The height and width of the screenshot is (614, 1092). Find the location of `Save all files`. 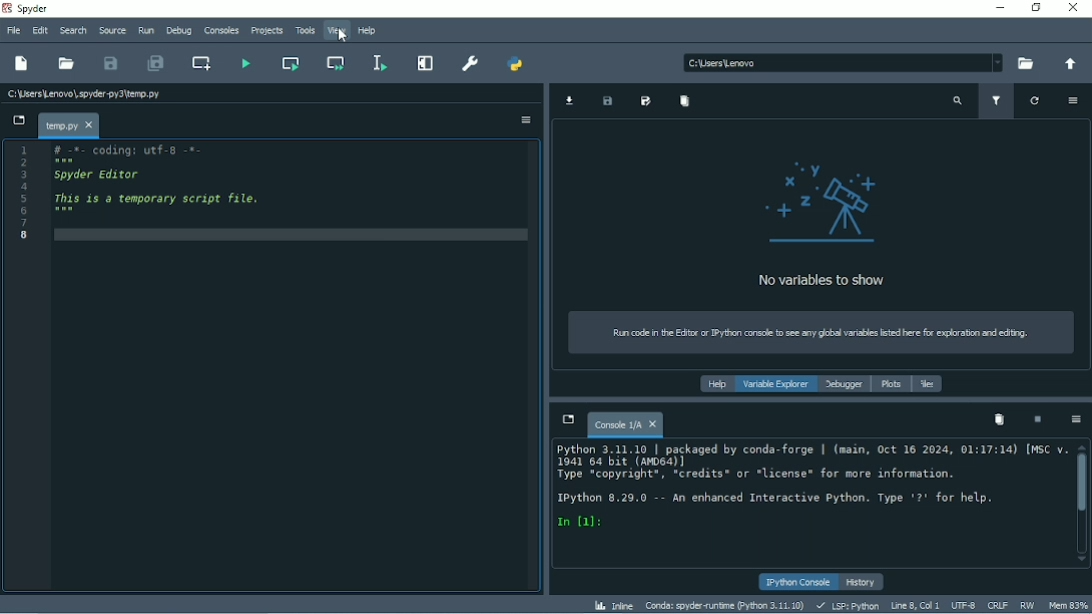

Save all files is located at coordinates (154, 63).